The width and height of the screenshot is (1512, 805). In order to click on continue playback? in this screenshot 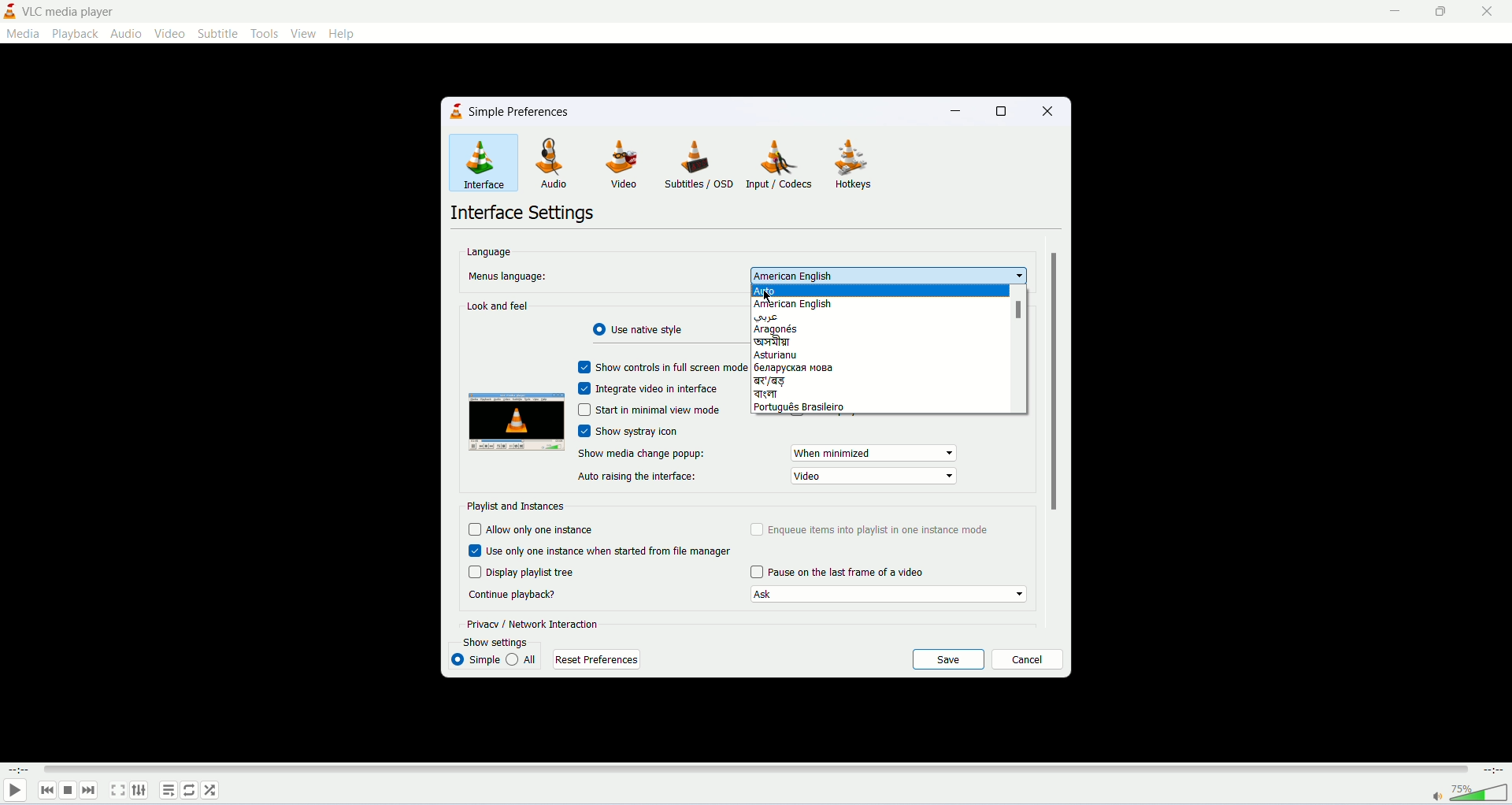, I will do `click(512, 594)`.